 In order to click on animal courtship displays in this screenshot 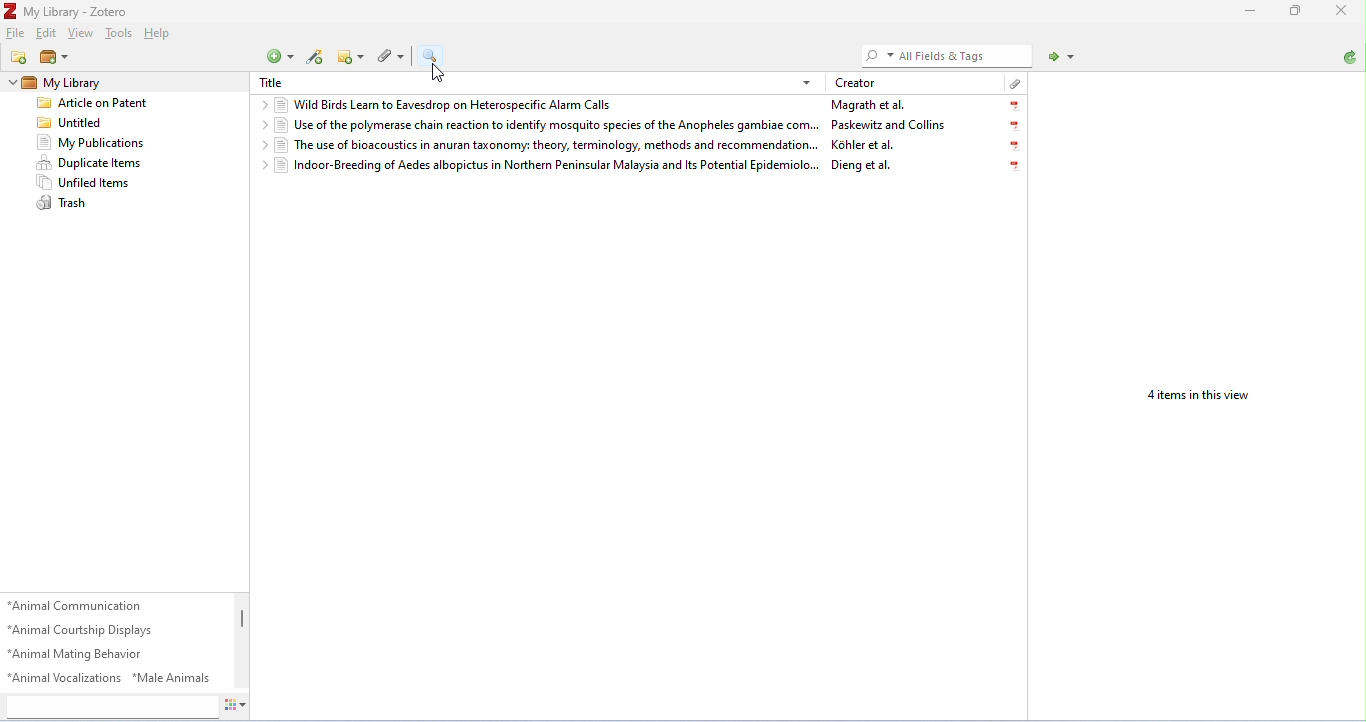, I will do `click(83, 631)`.